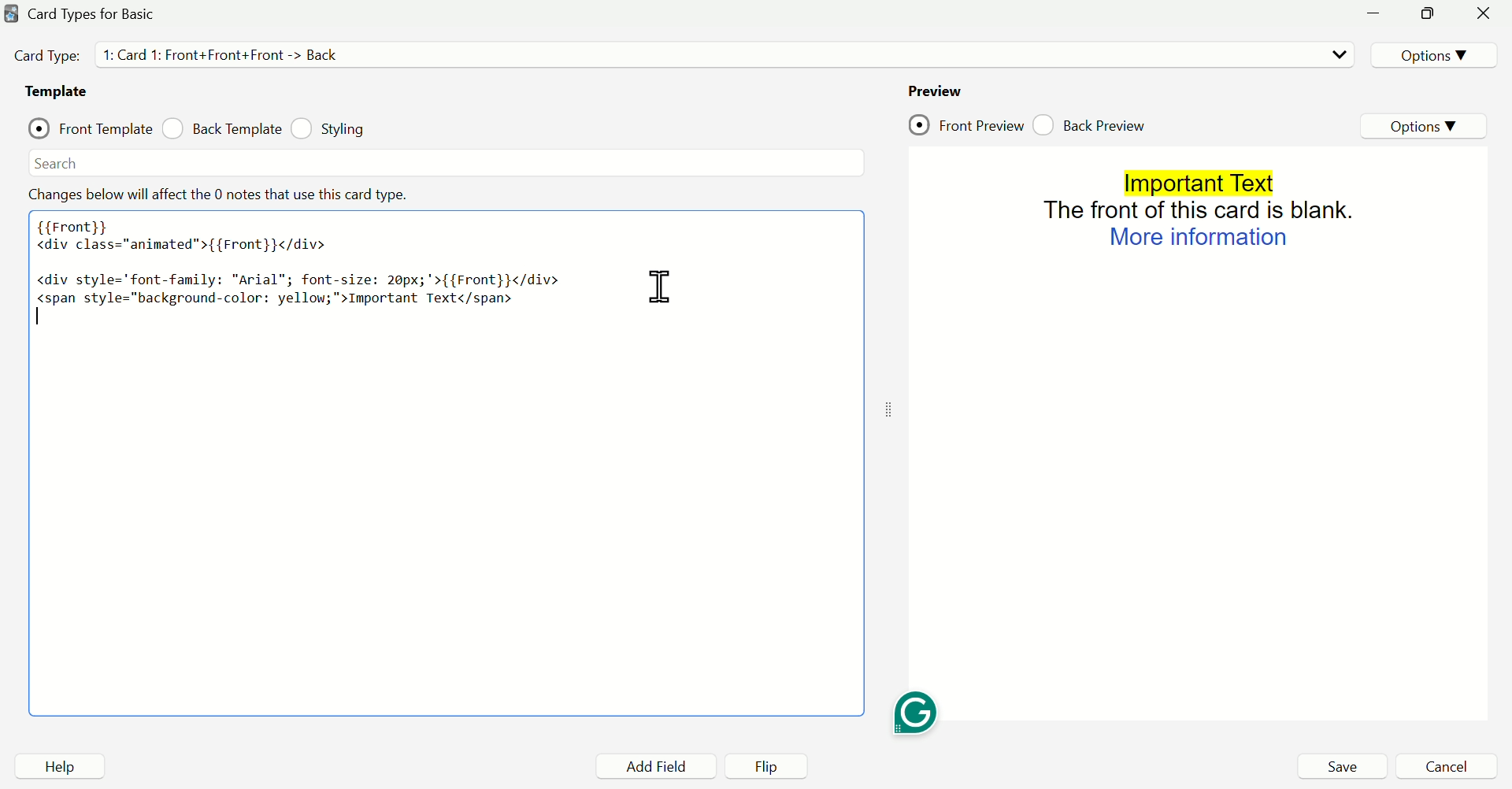 Image resolution: width=1512 pixels, height=789 pixels. What do you see at coordinates (234, 196) in the screenshot?
I see `Changes below will affect the 0 notes that use this card type` at bounding box center [234, 196].